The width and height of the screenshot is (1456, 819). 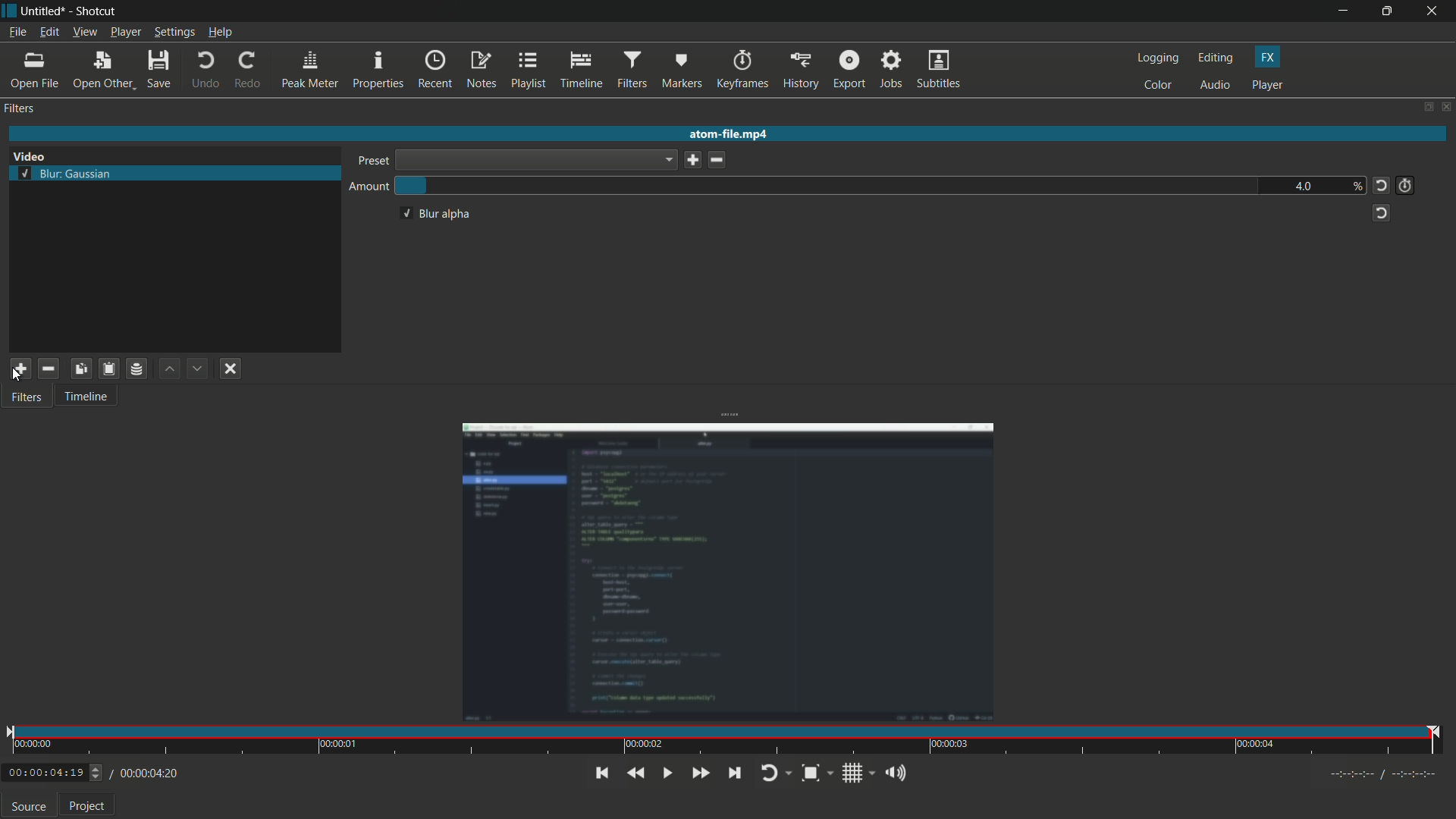 What do you see at coordinates (18, 368) in the screenshot?
I see `Add Filter` at bounding box center [18, 368].